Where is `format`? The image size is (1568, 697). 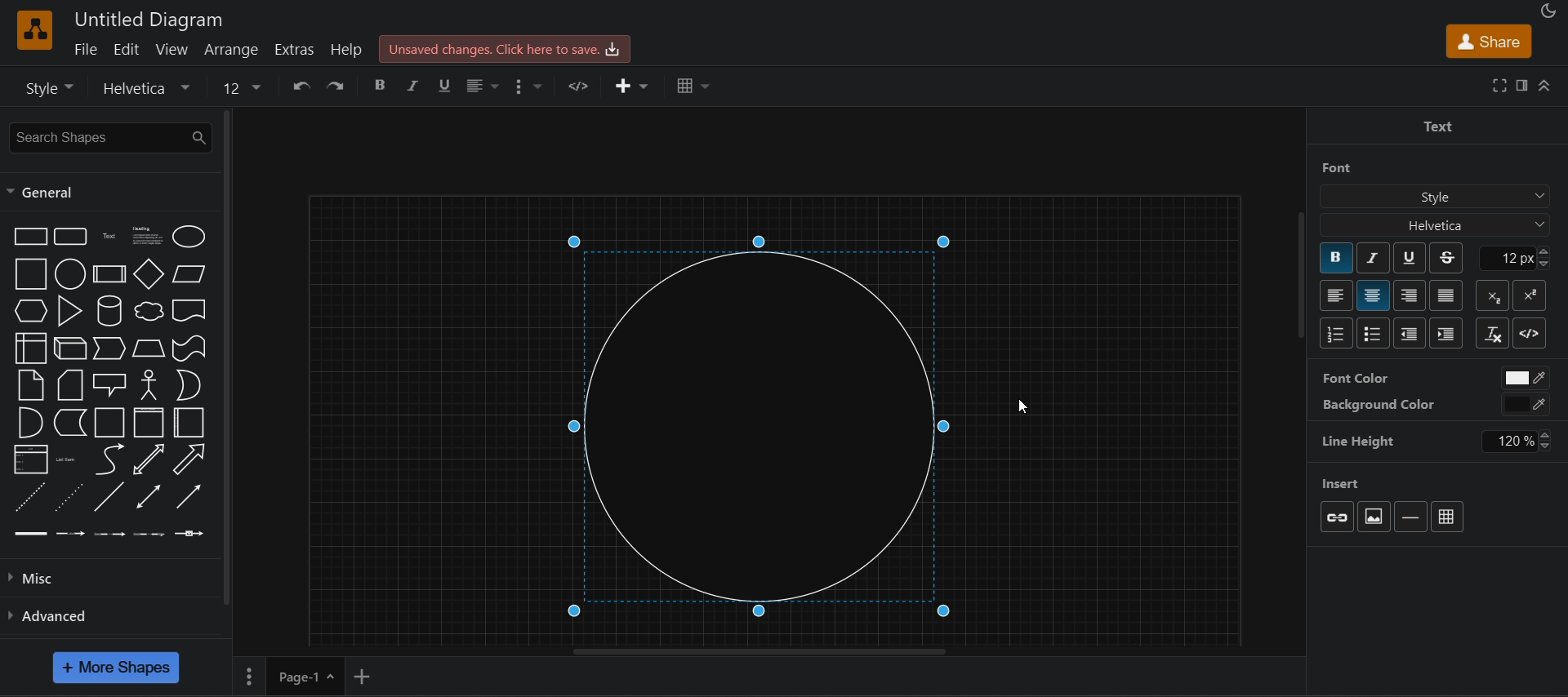 format is located at coordinates (1522, 87).